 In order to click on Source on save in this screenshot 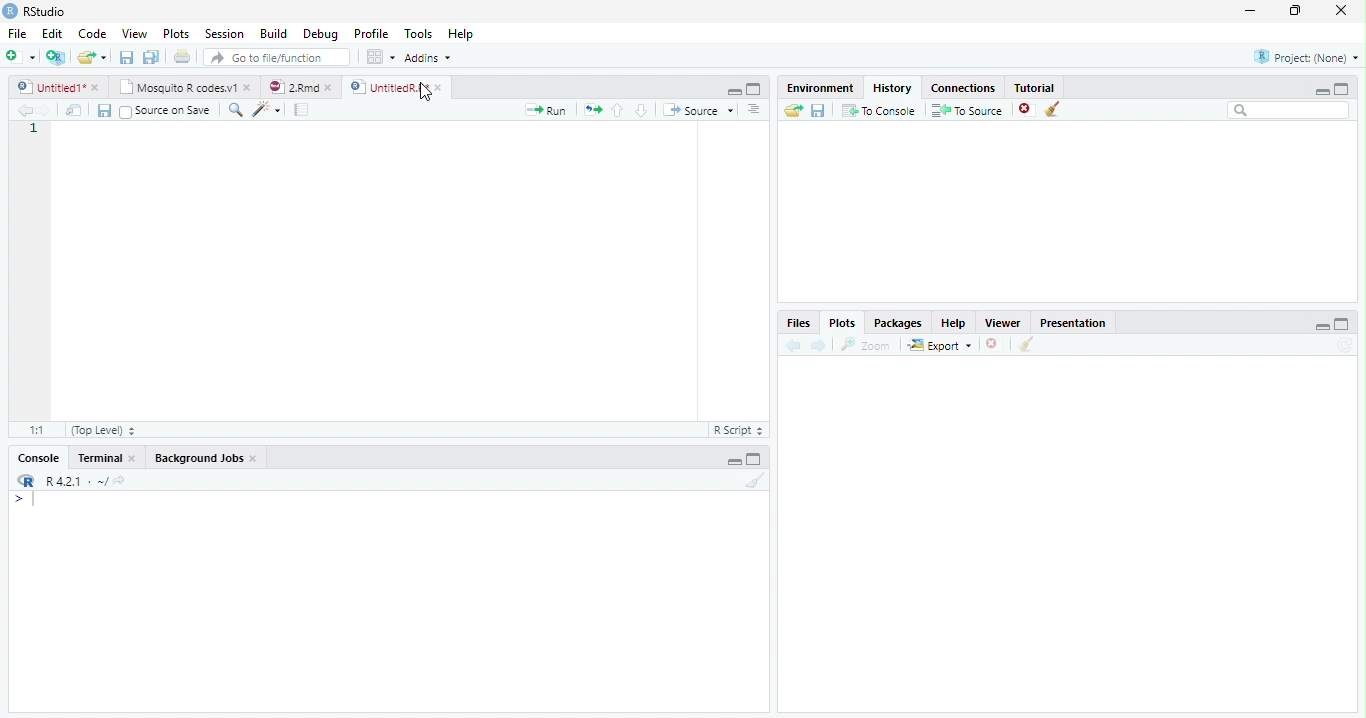, I will do `click(169, 111)`.